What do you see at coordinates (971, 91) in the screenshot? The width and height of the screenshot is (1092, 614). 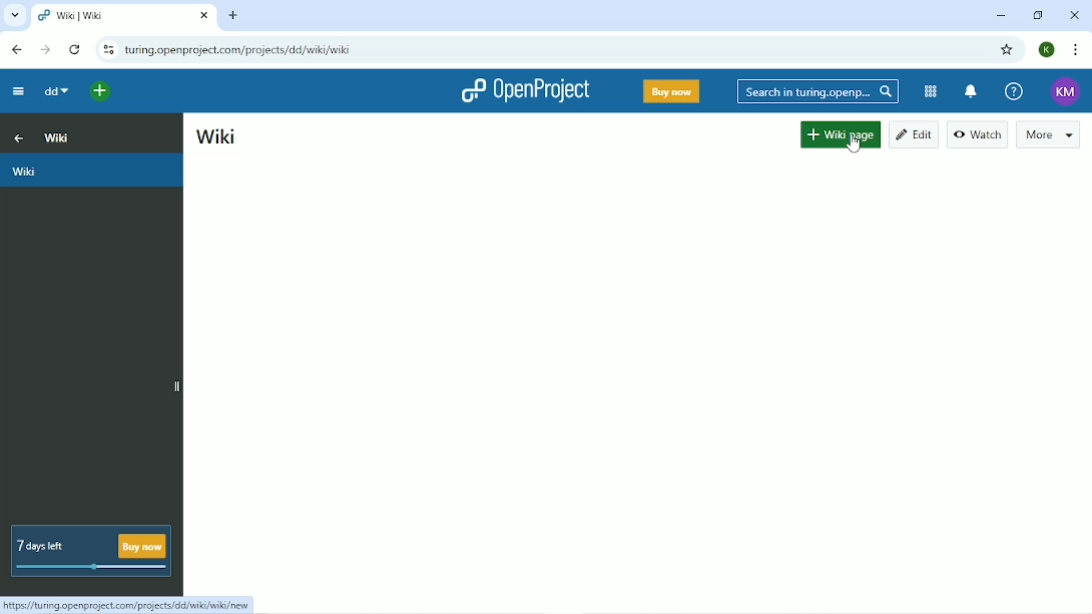 I see `To notification center` at bounding box center [971, 91].